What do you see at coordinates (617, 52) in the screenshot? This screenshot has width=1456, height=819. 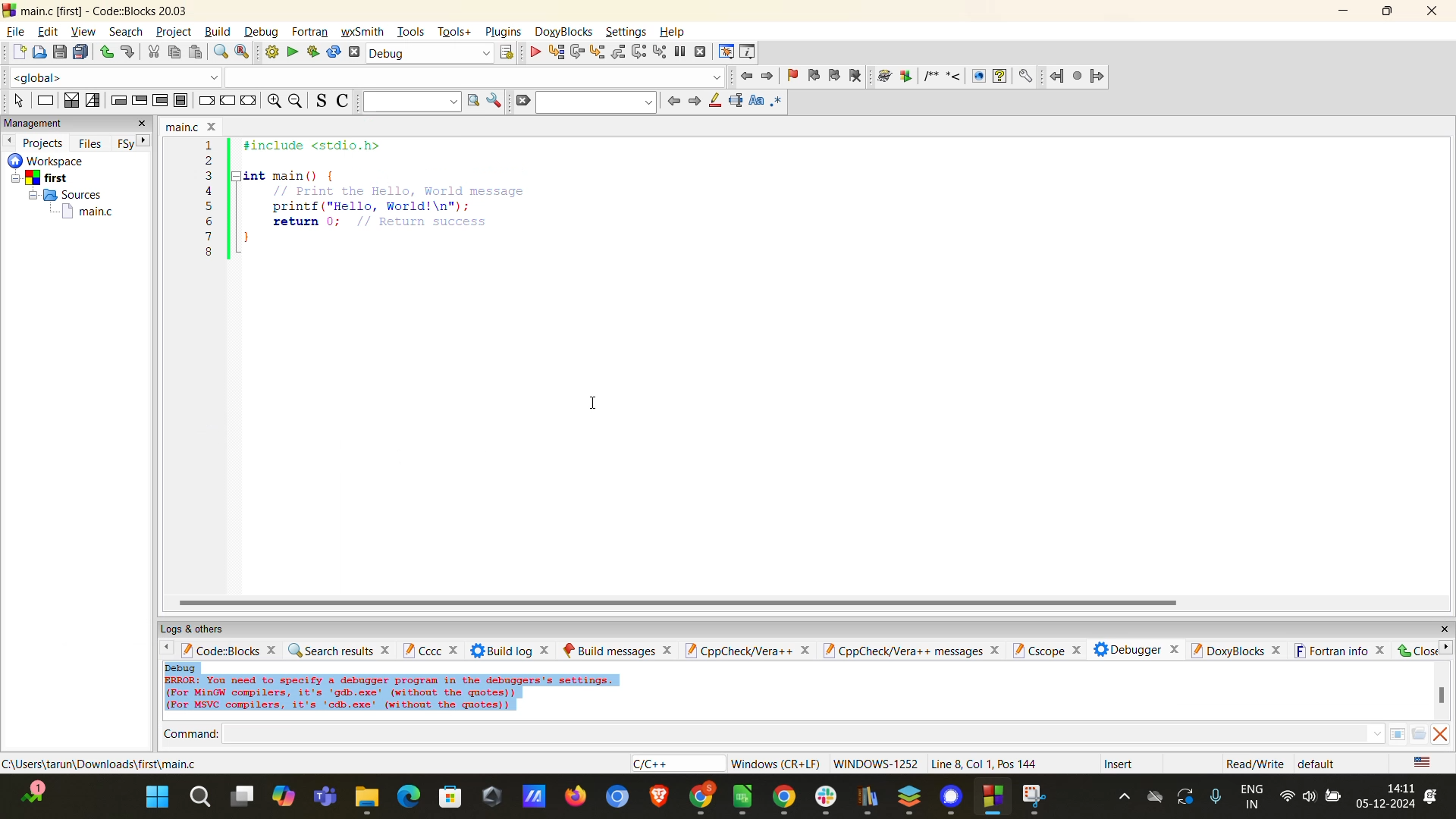 I see `step out` at bounding box center [617, 52].